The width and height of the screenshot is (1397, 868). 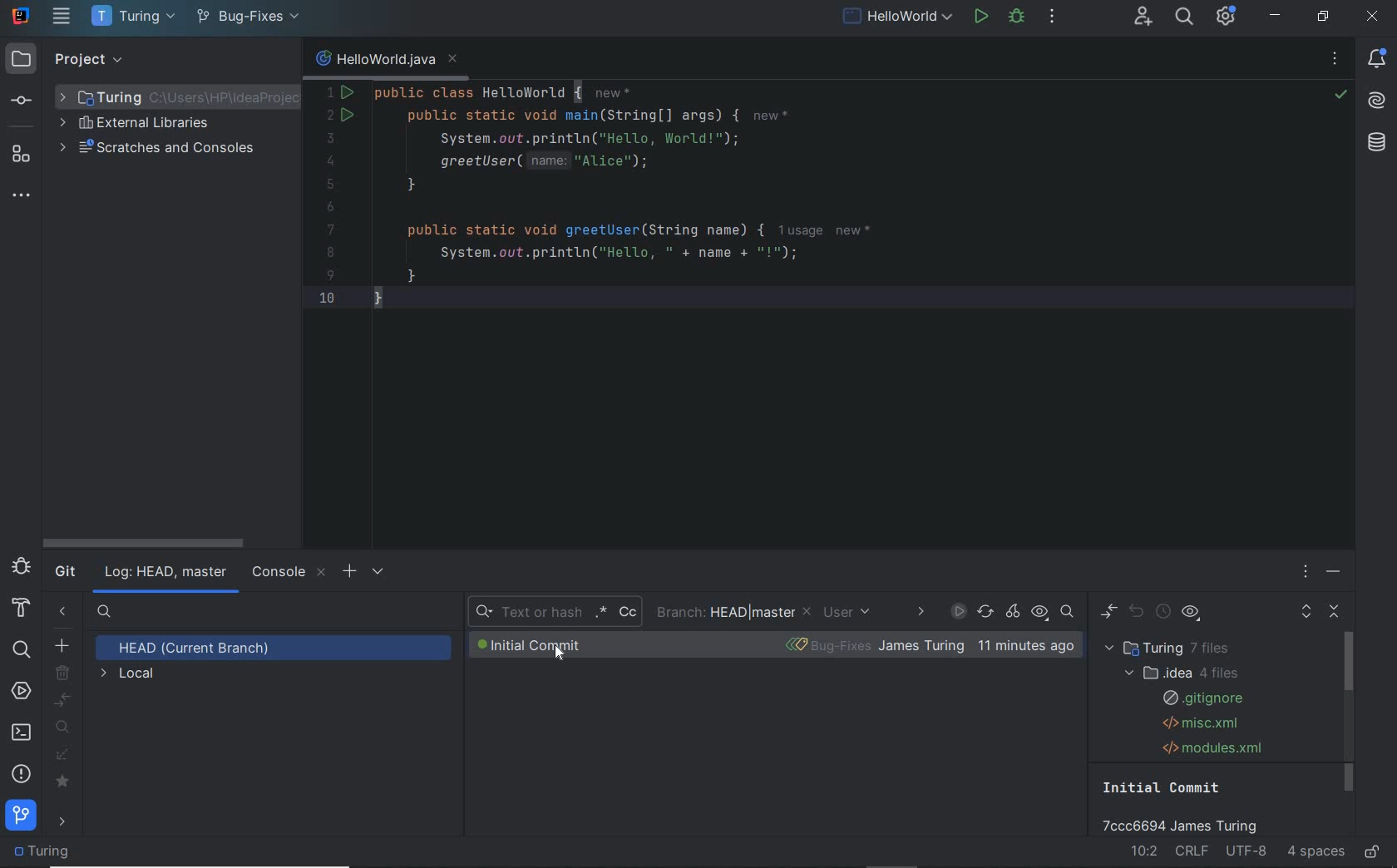 I want to click on database, so click(x=1377, y=143).